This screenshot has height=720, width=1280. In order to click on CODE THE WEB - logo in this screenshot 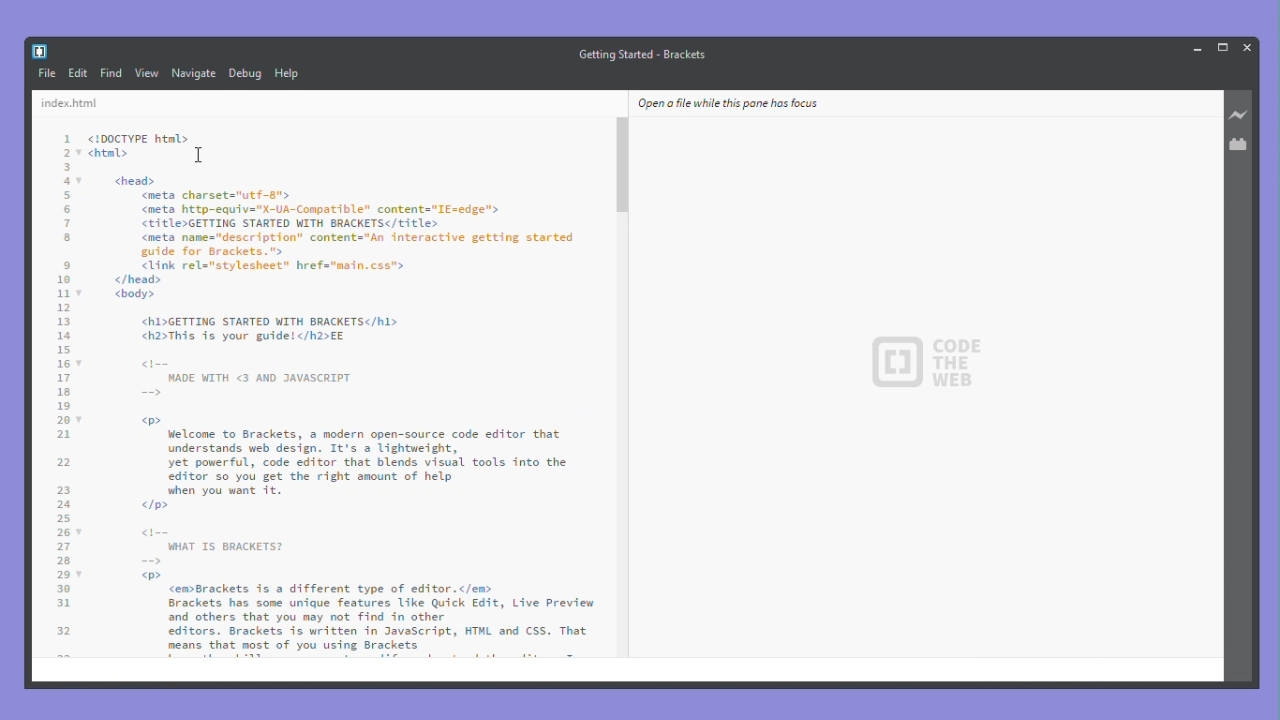, I will do `click(926, 364)`.